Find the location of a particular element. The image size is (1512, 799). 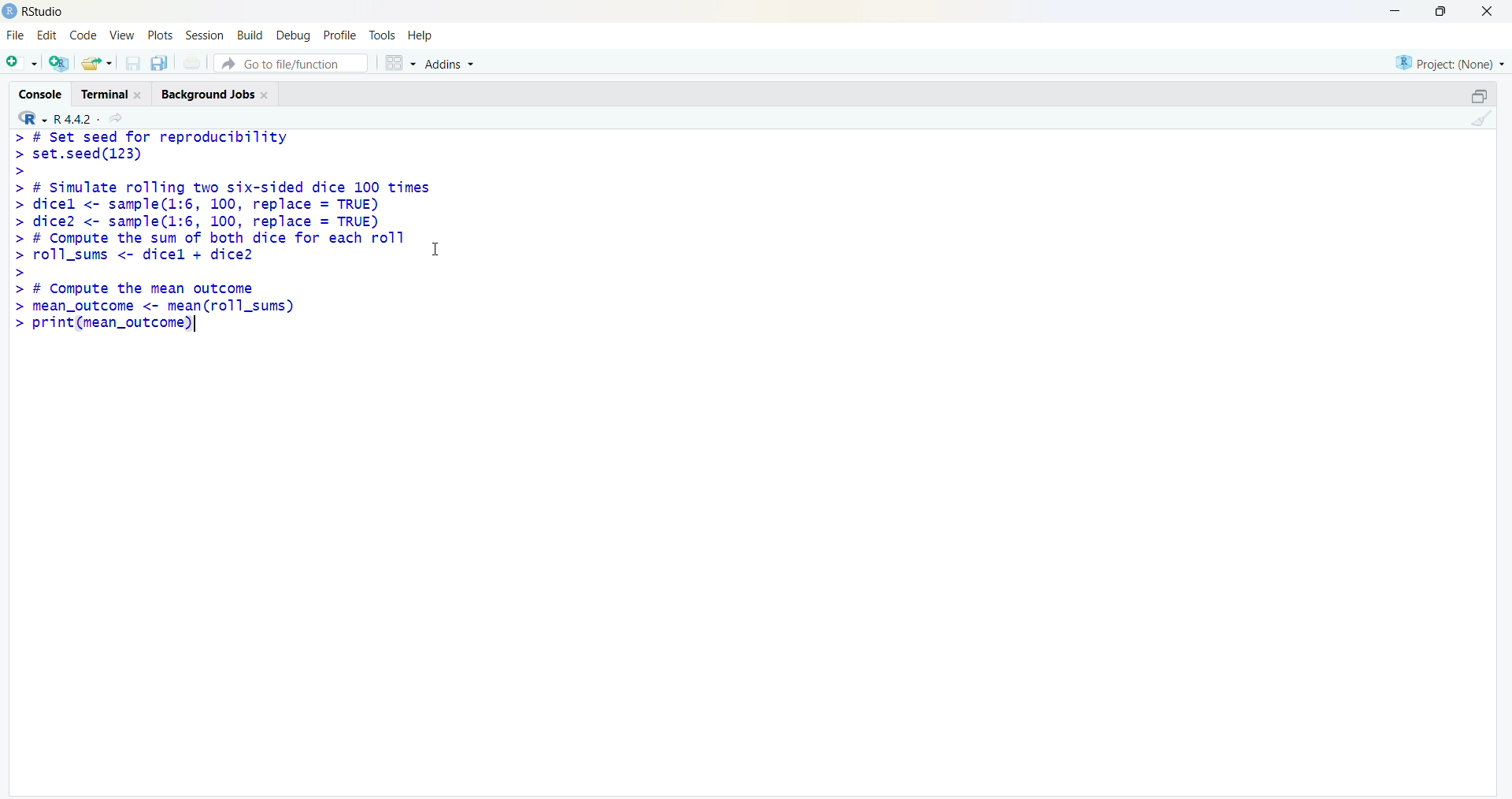

save is located at coordinates (132, 63).